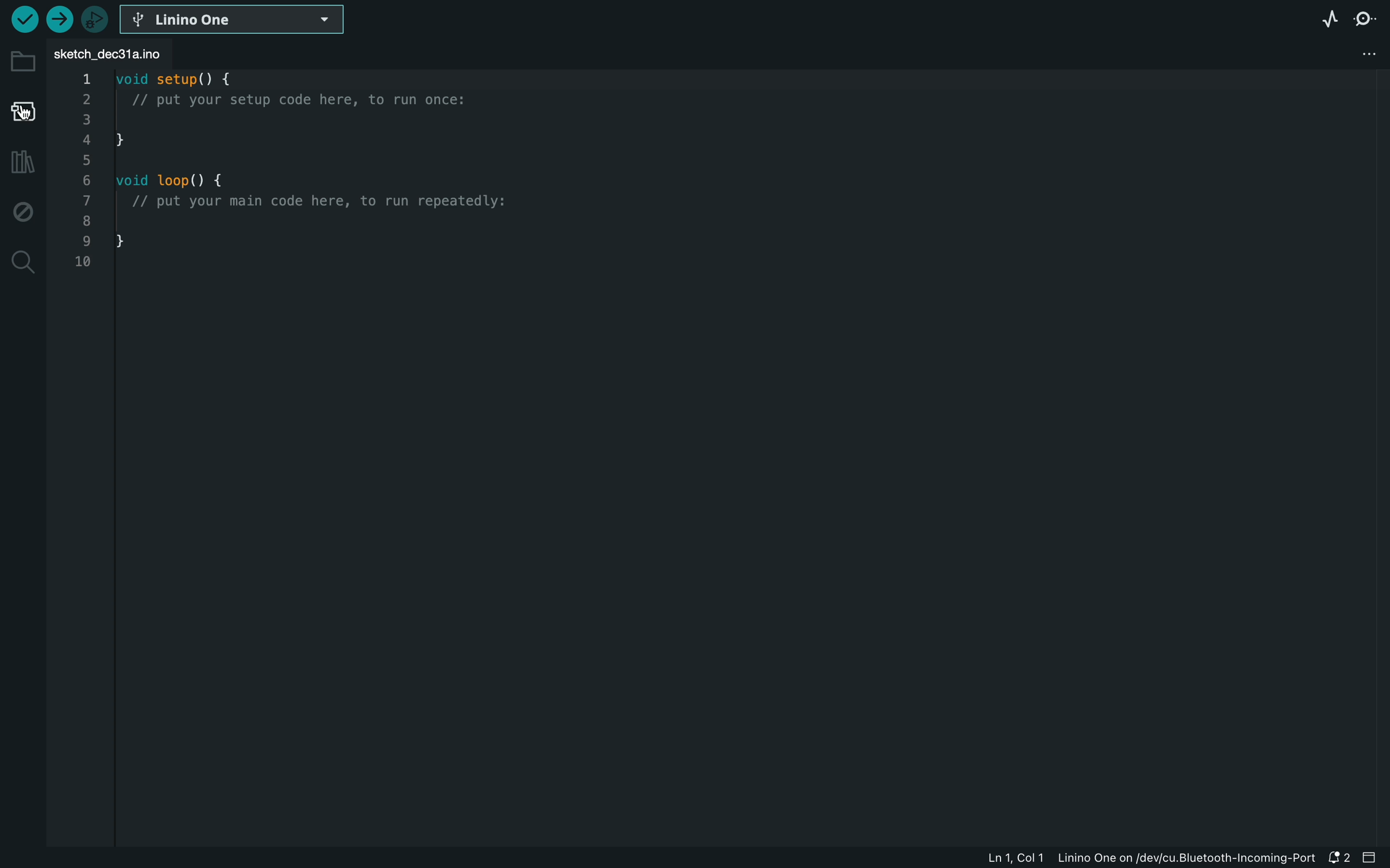  I want to click on debug, so click(23, 210).